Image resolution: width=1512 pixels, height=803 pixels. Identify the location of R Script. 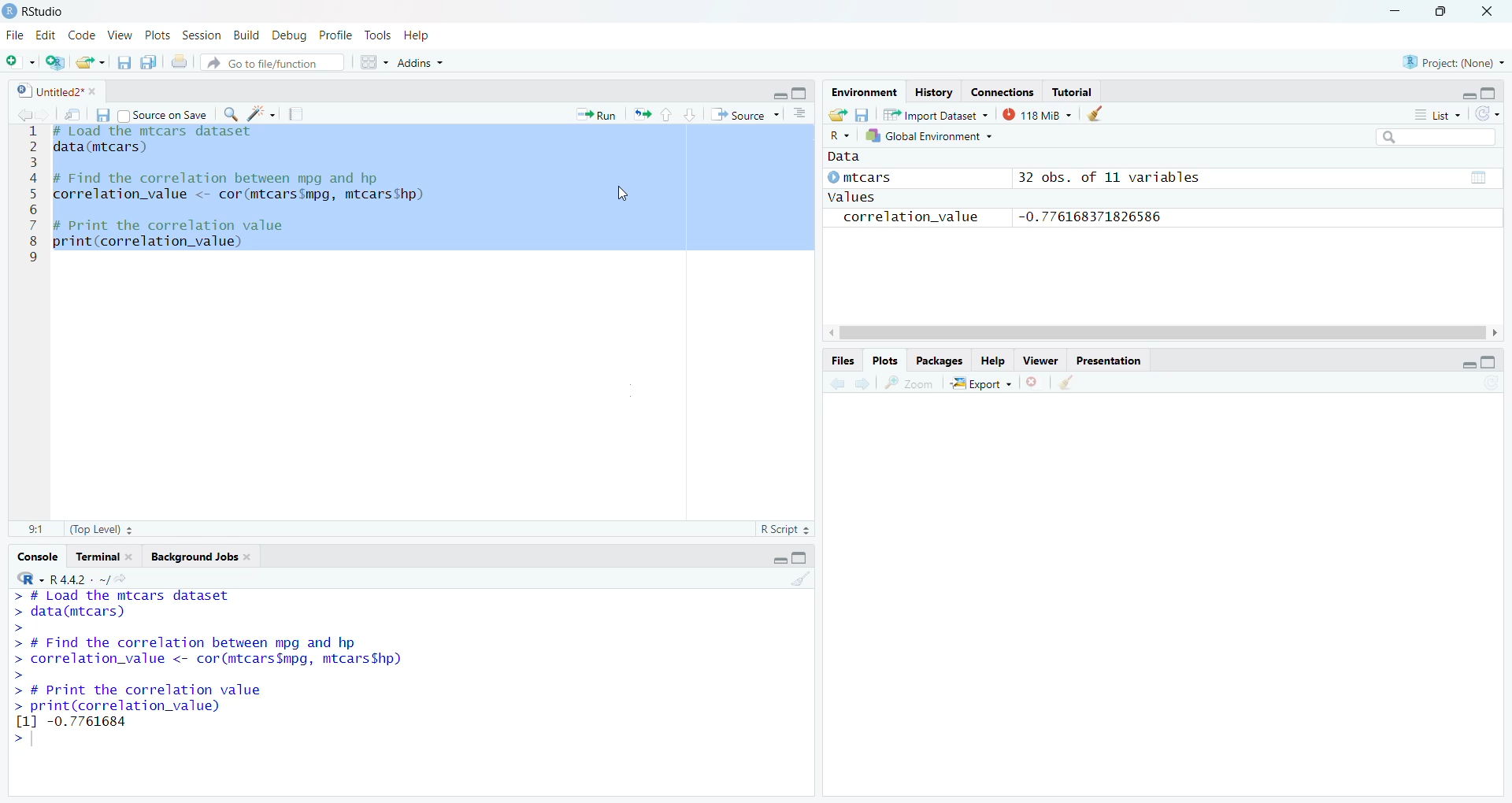
(779, 530).